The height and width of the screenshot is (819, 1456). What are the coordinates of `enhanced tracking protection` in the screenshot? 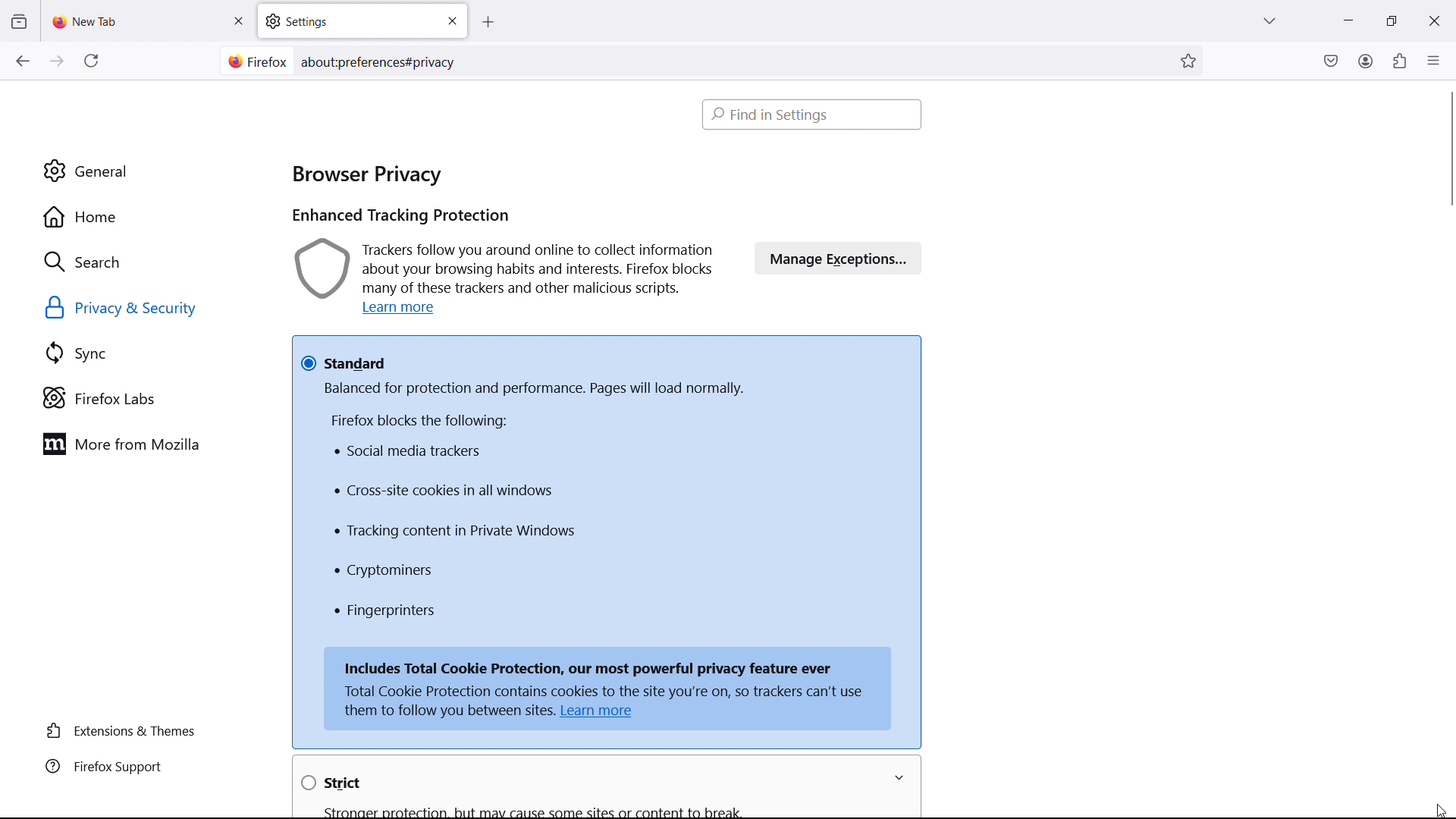 It's located at (400, 217).